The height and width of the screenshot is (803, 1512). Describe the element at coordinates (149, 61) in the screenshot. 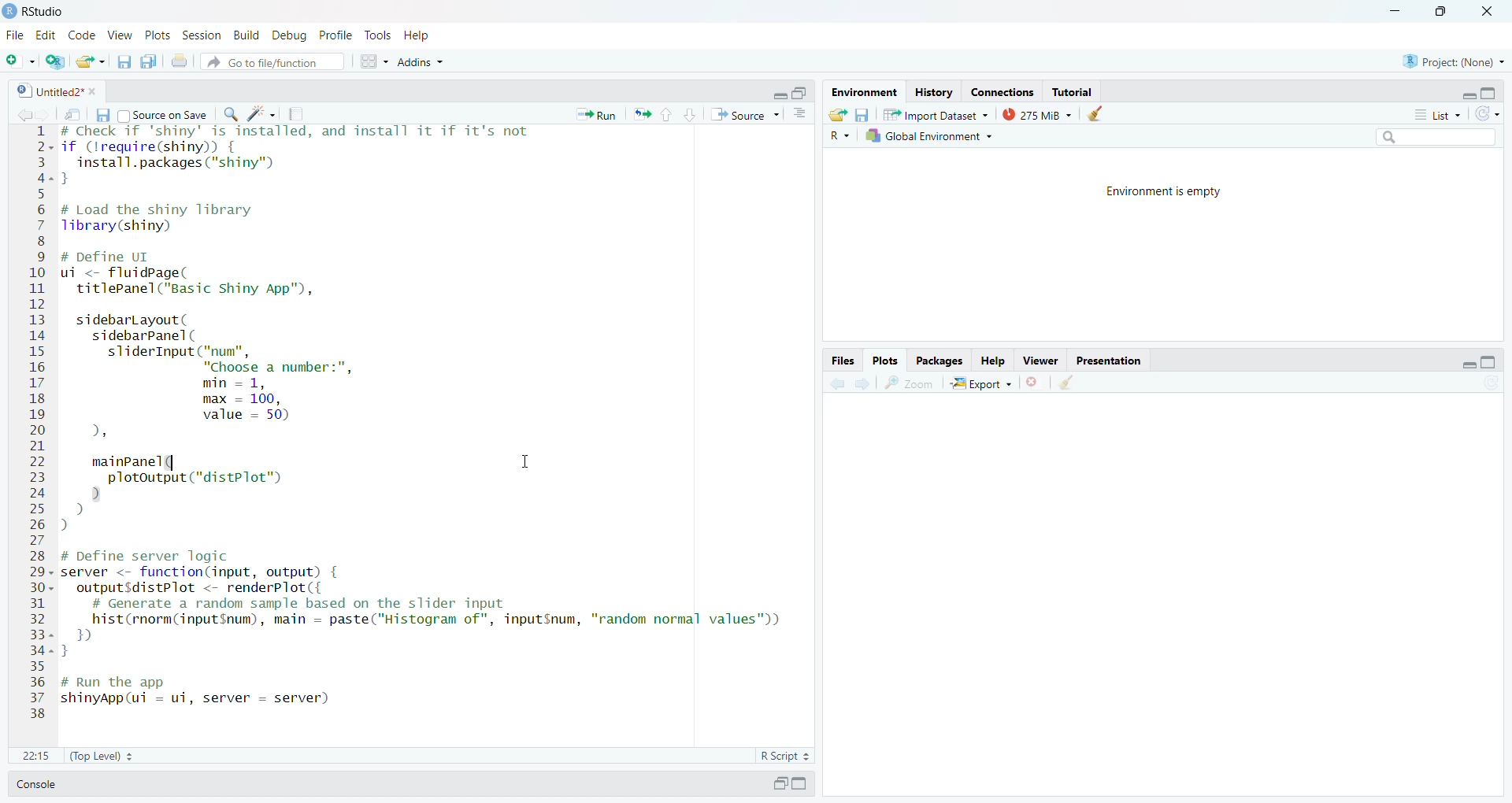

I see `save all` at that location.